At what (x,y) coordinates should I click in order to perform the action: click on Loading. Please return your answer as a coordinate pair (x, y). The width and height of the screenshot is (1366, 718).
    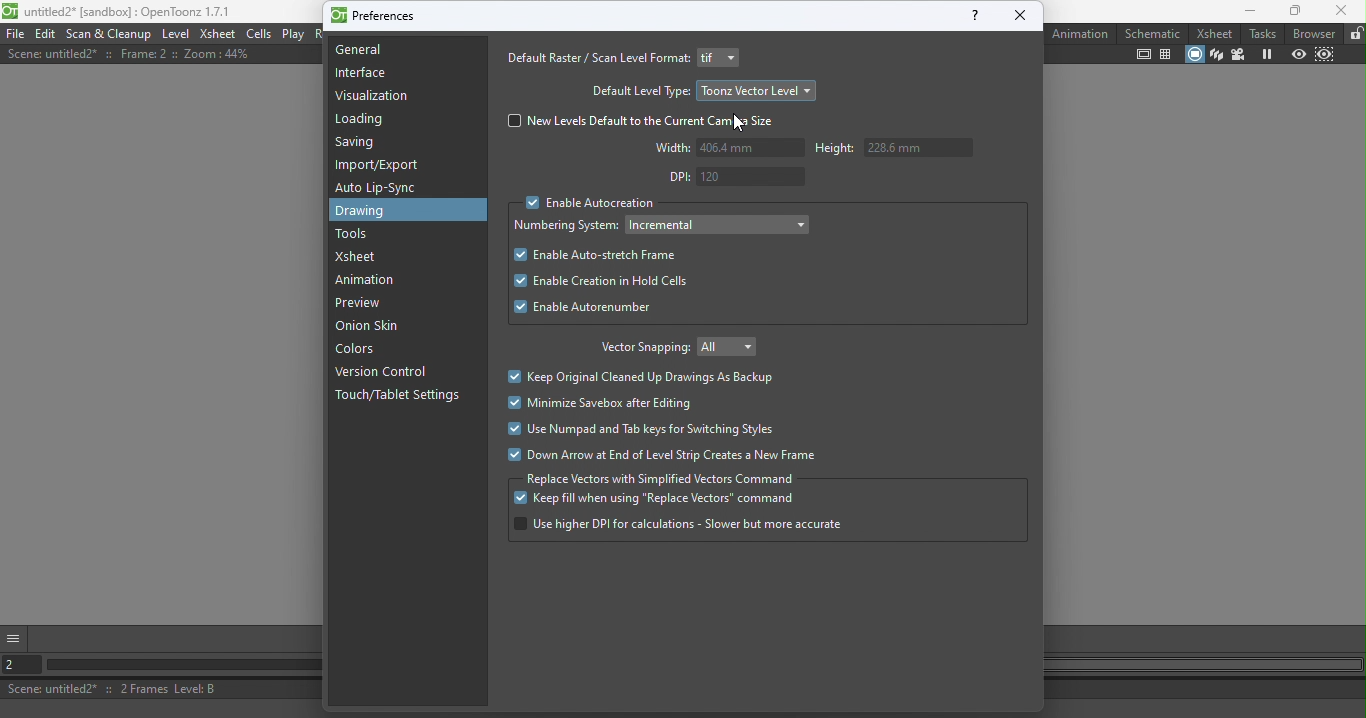
    Looking at the image, I should click on (367, 120).